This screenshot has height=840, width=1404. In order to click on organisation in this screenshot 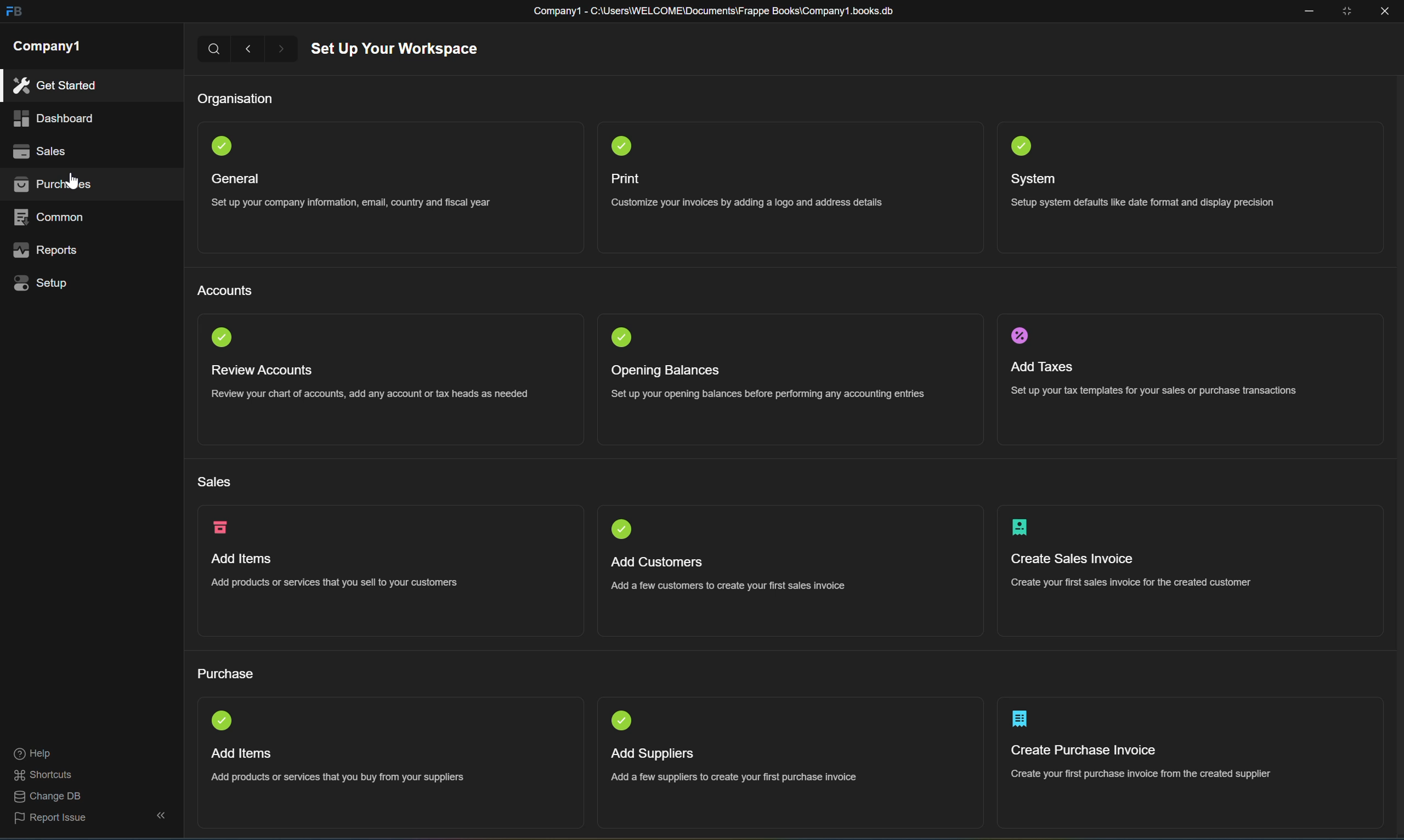, I will do `click(236, 100)`.